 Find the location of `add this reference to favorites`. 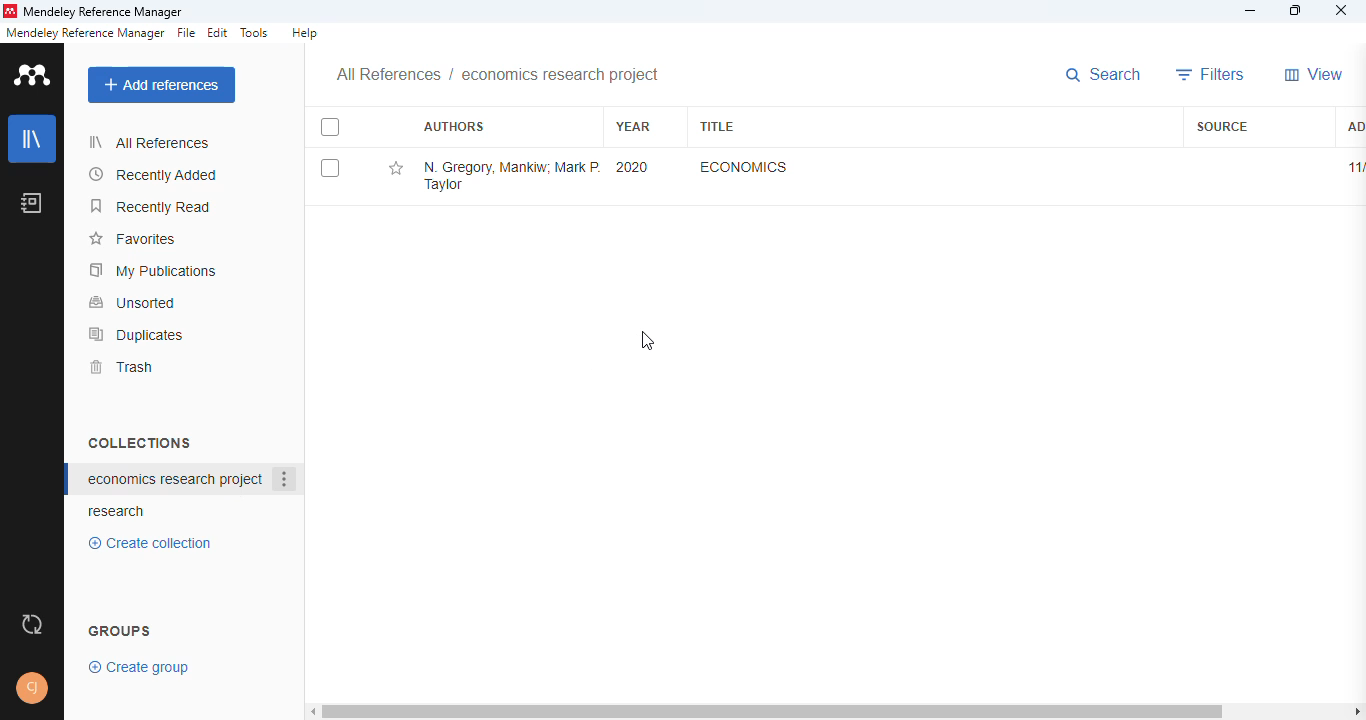

add this reference to favorites is located at coordinates (397, 168).